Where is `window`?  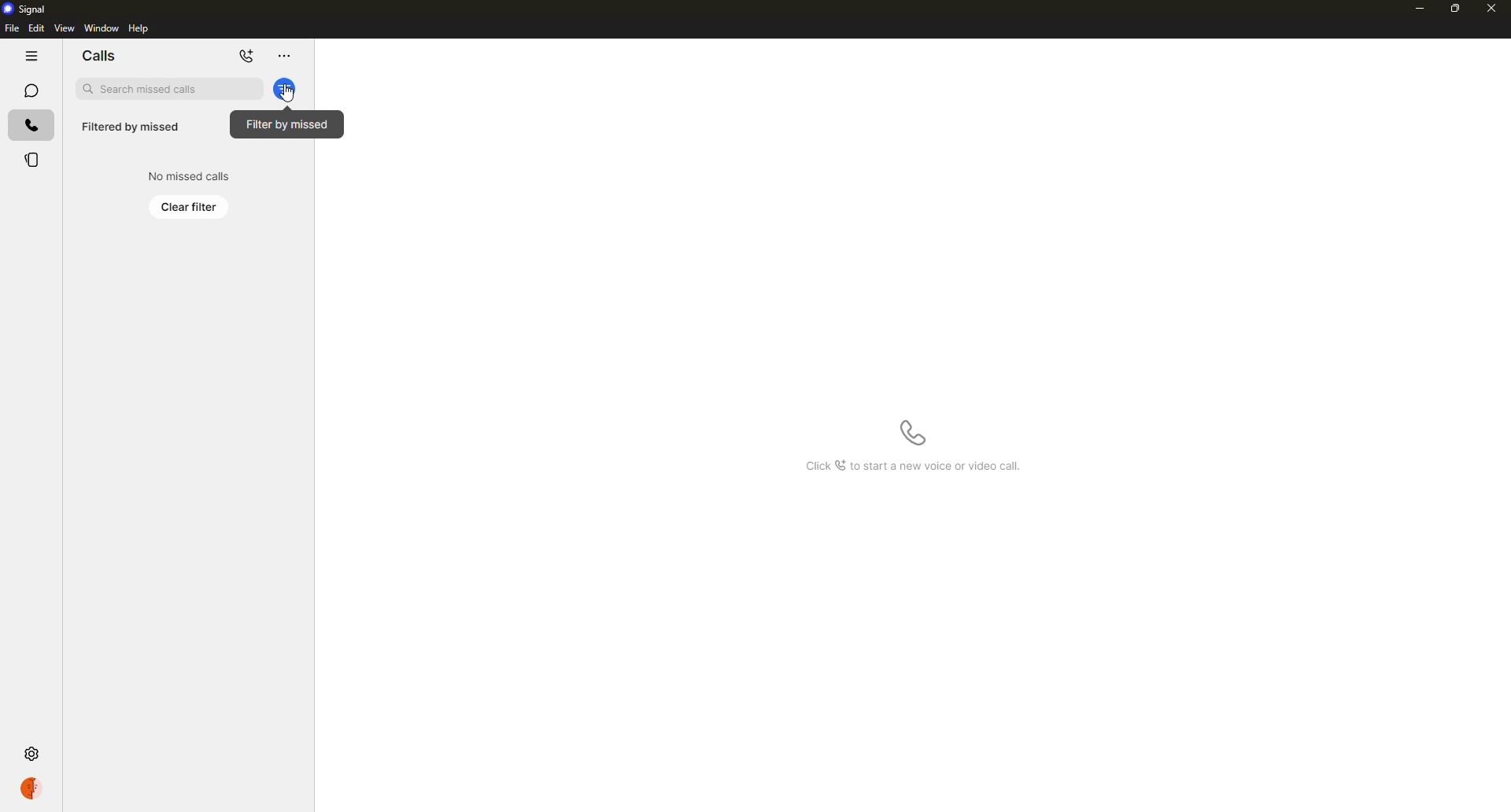 window is located at coordinates (102, 28).